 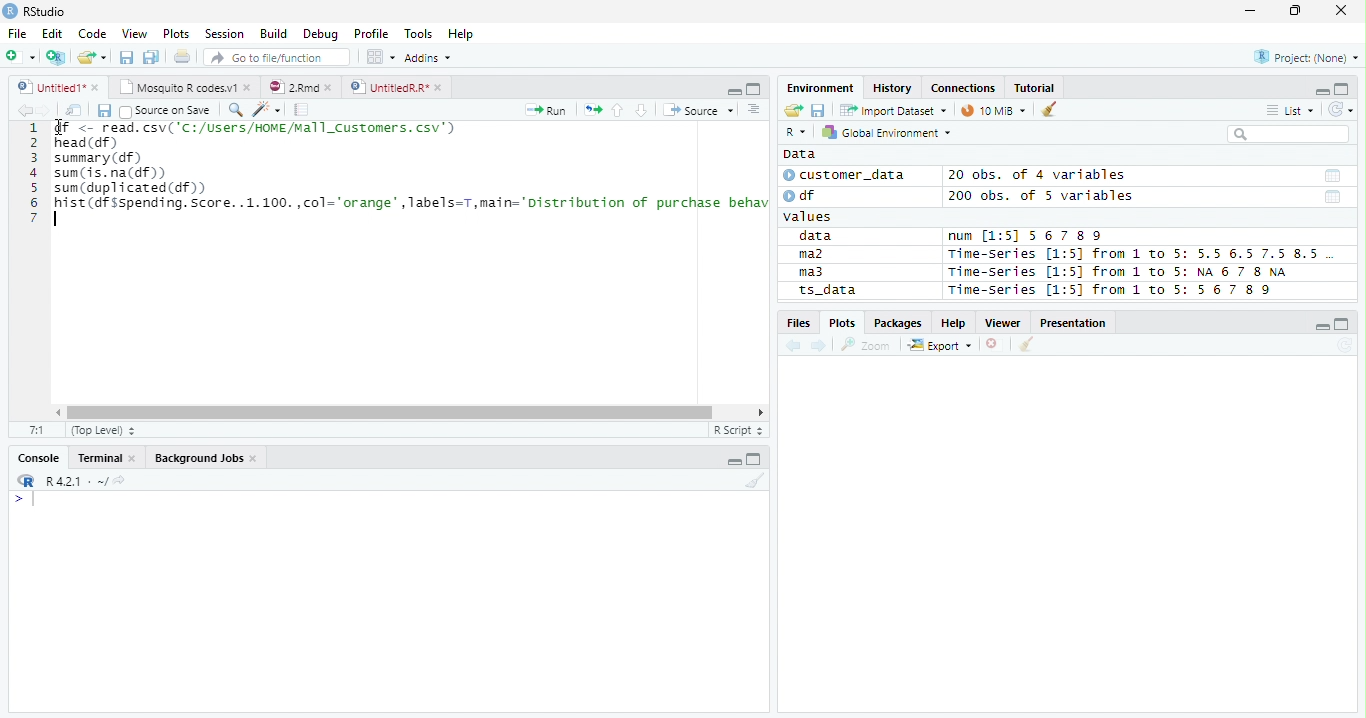 I want to click on R, so click(x=795, y=133).